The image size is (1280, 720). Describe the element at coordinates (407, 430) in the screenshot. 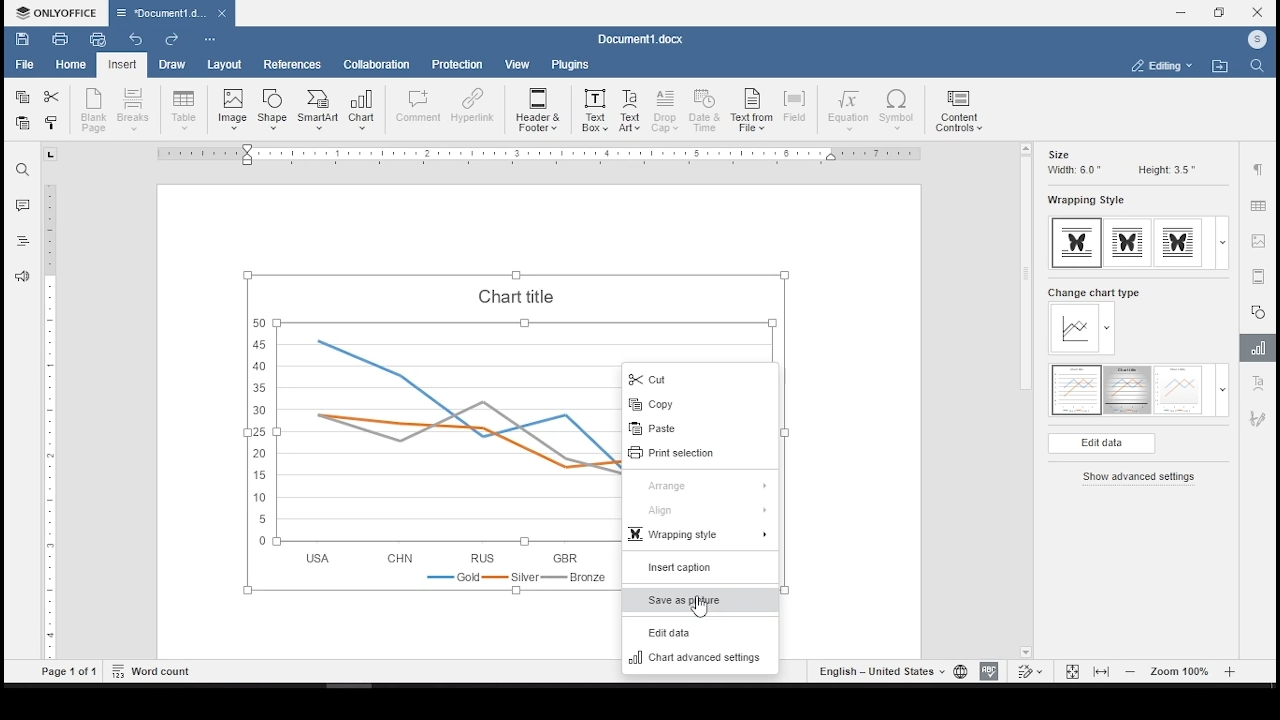

I see `chart` at that location.